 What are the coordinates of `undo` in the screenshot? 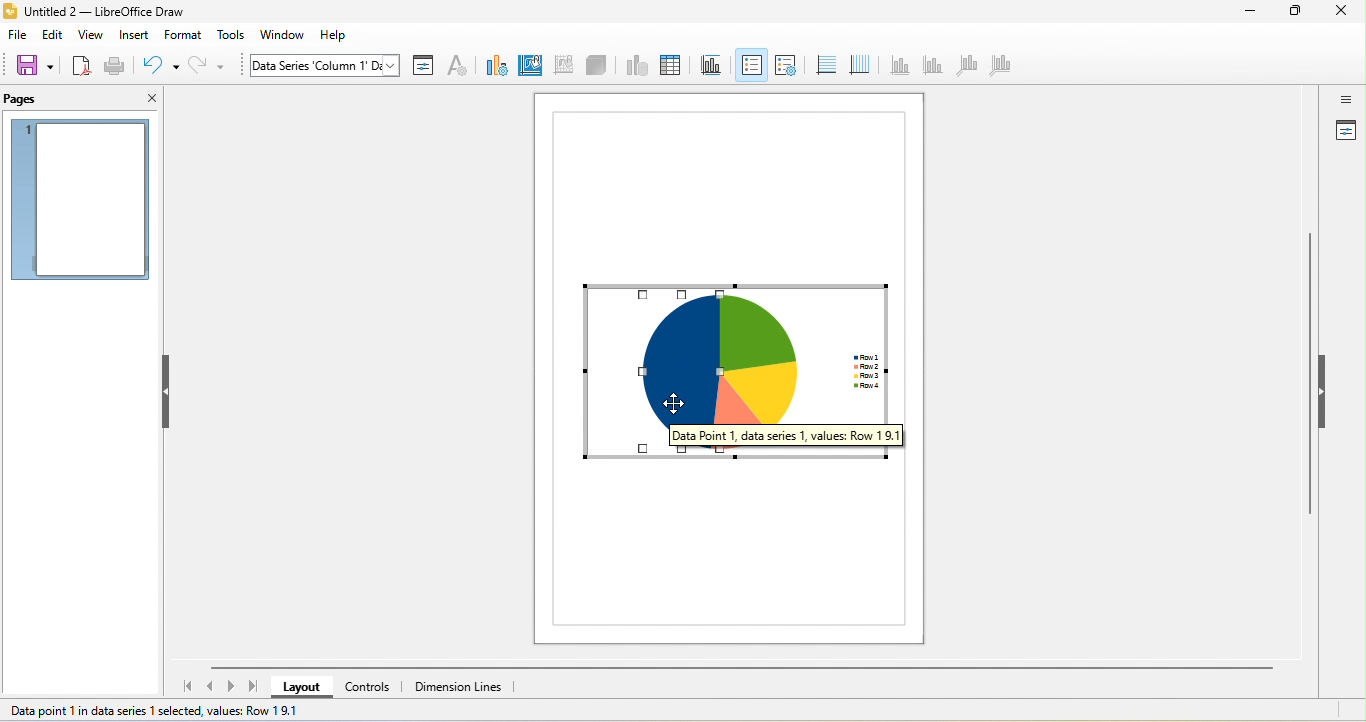 It's located at (160, 65).